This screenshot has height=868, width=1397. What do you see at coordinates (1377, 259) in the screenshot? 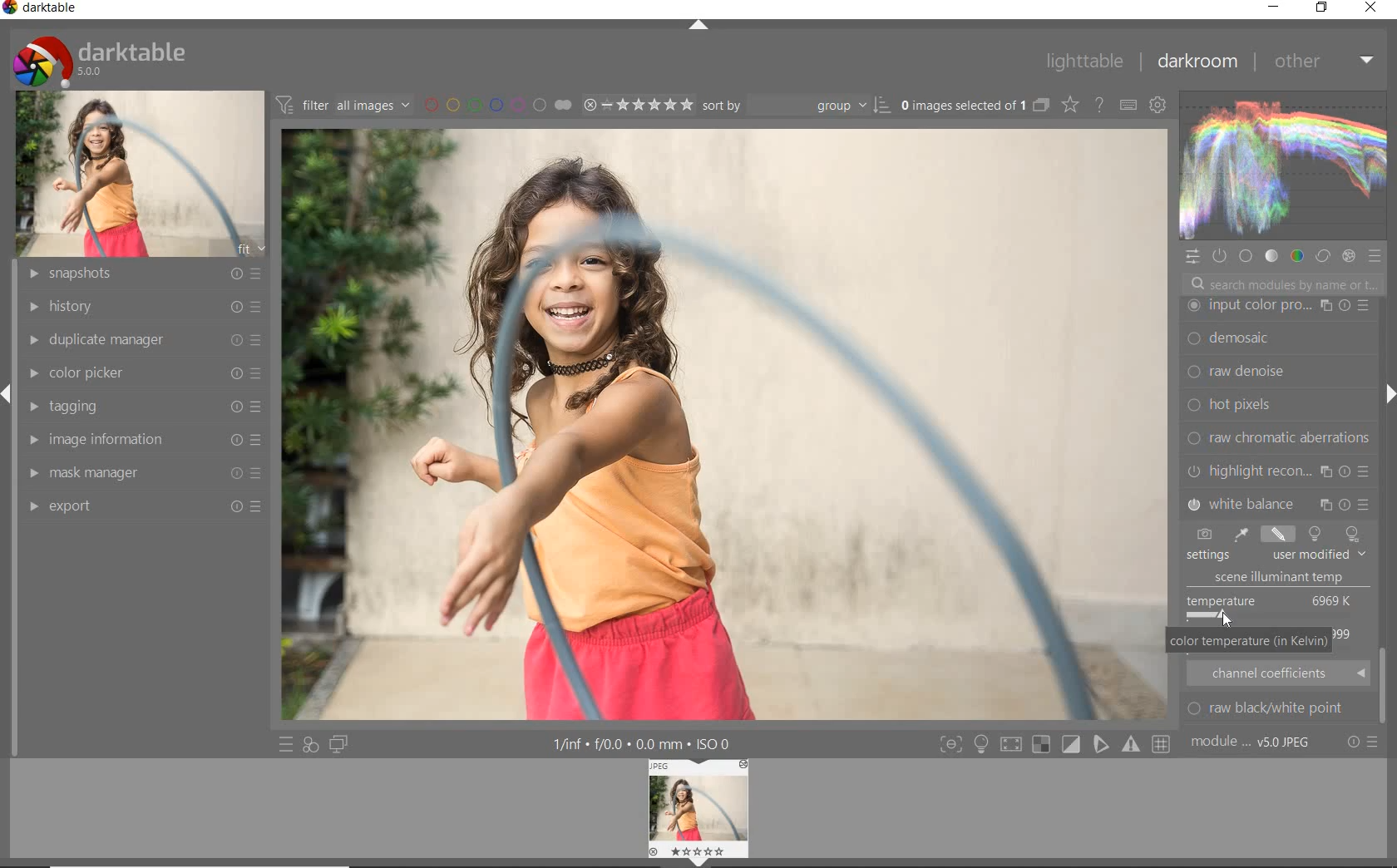
I see `preset` at bounding box center [1377, 259].